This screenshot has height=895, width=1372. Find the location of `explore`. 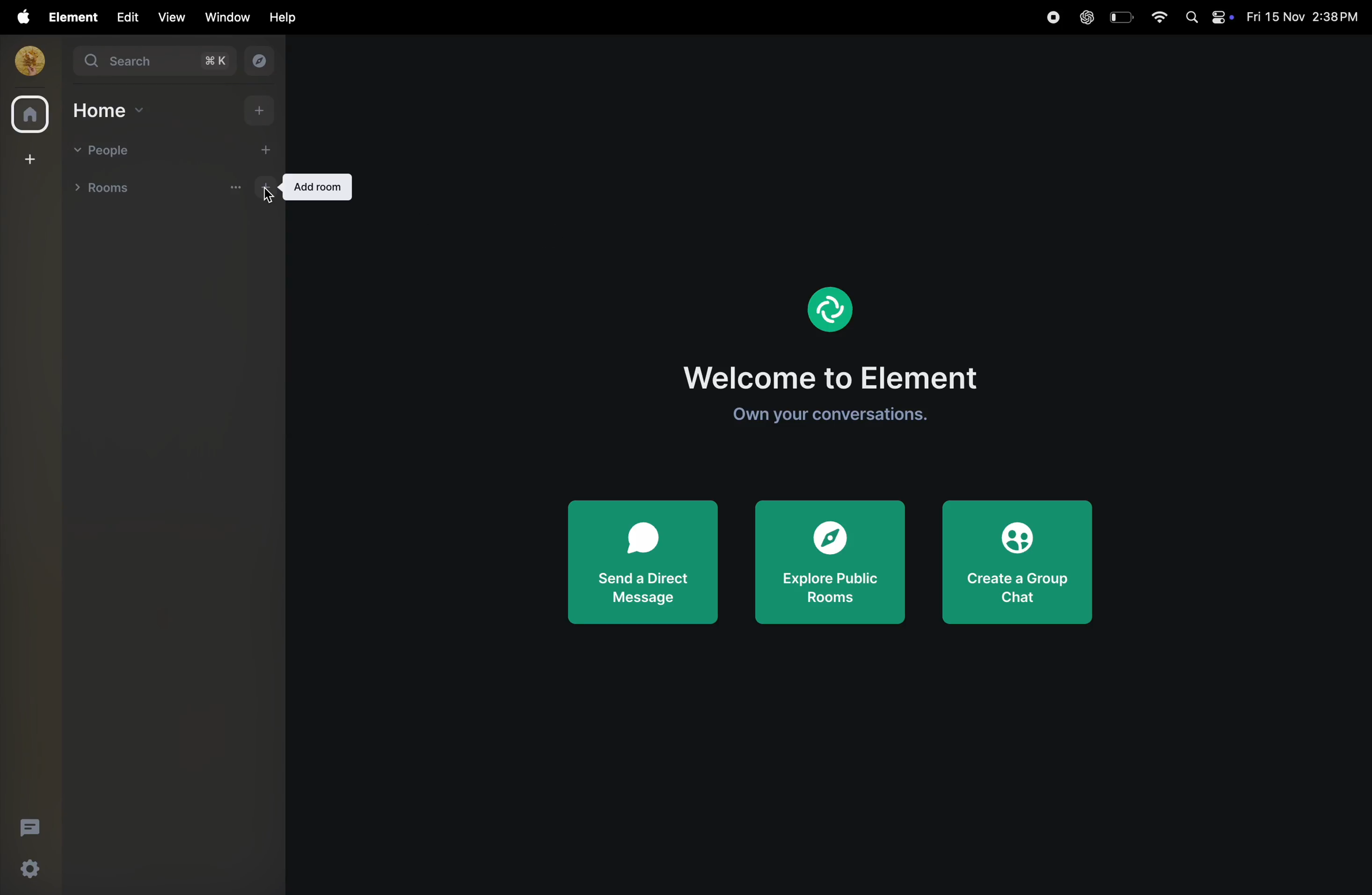

explore is located at coordinates (257, 61).